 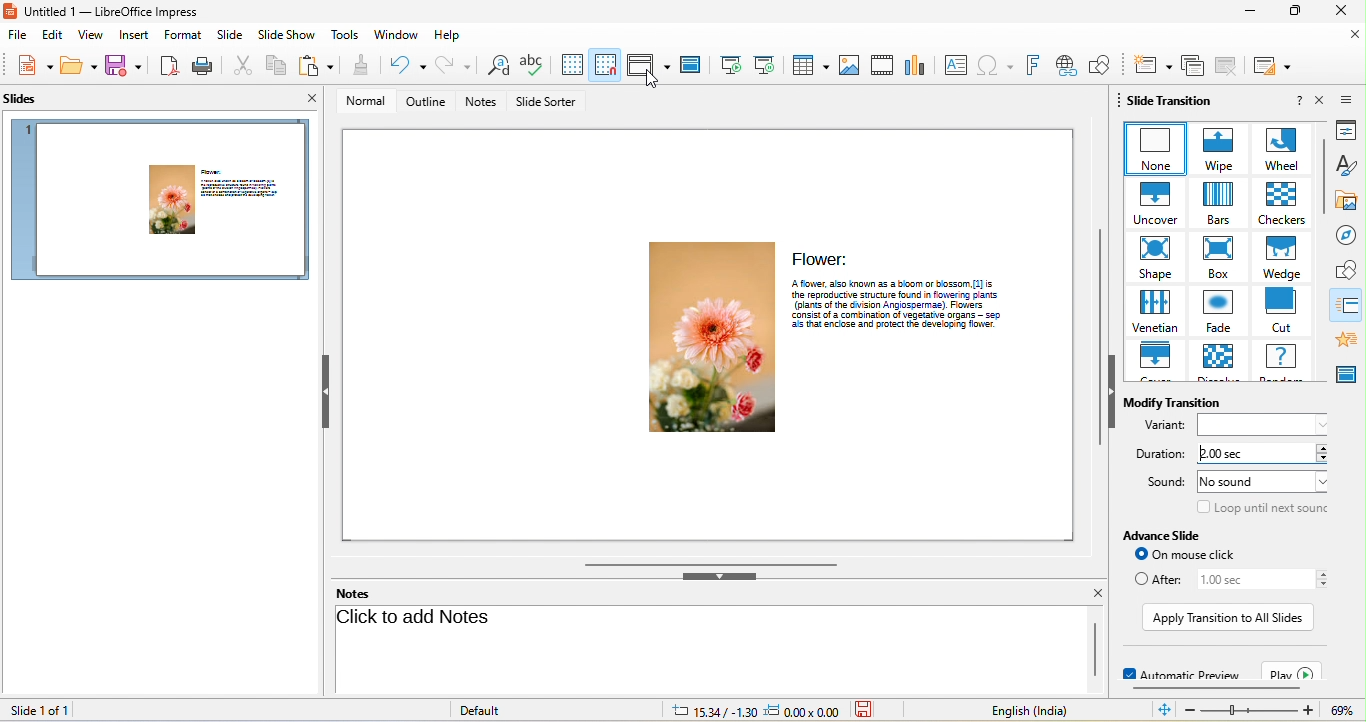 I want to click on find and replace, so click(x=495, y=66).